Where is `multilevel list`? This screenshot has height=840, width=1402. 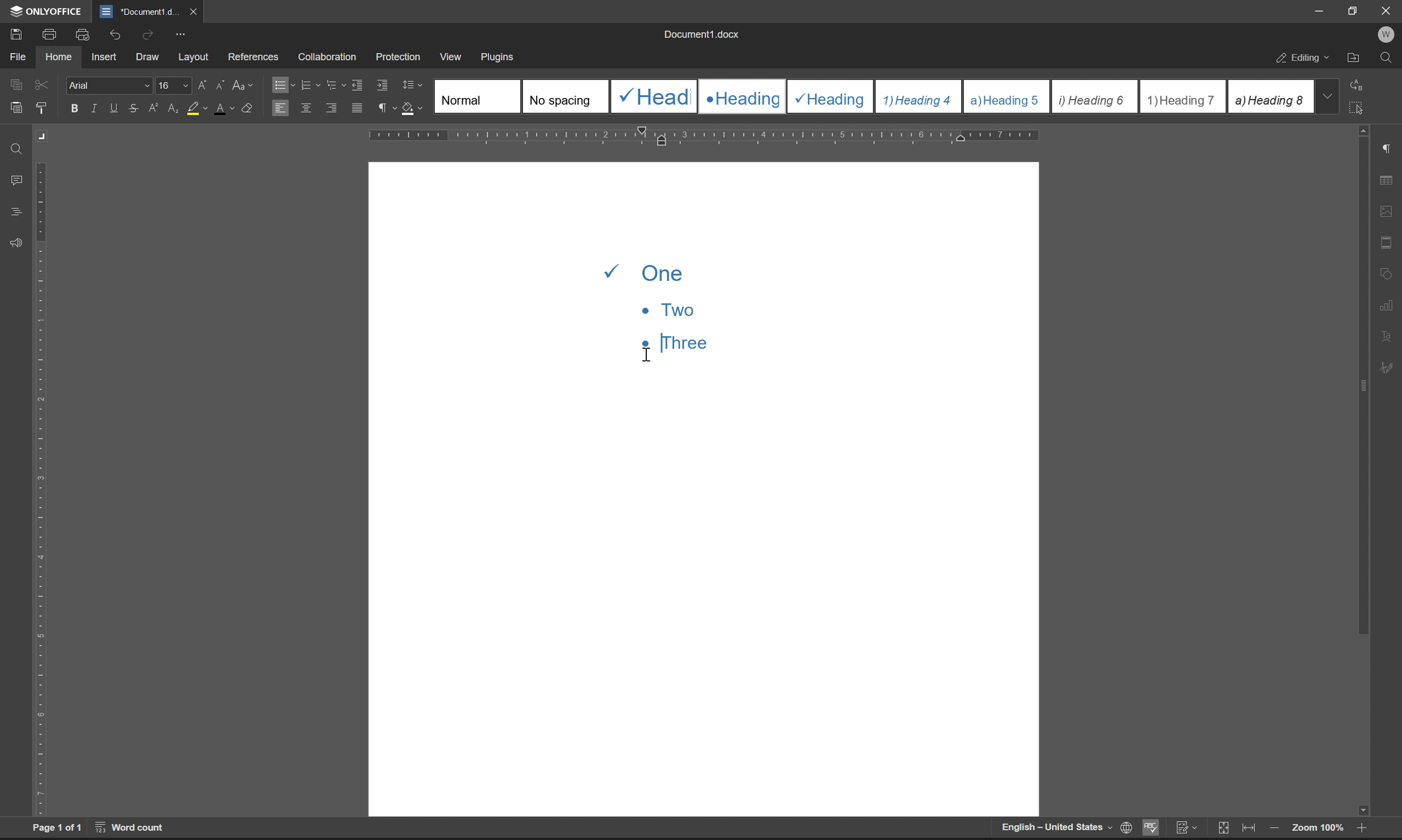
multilevel list is located at coordinates (337, 84).